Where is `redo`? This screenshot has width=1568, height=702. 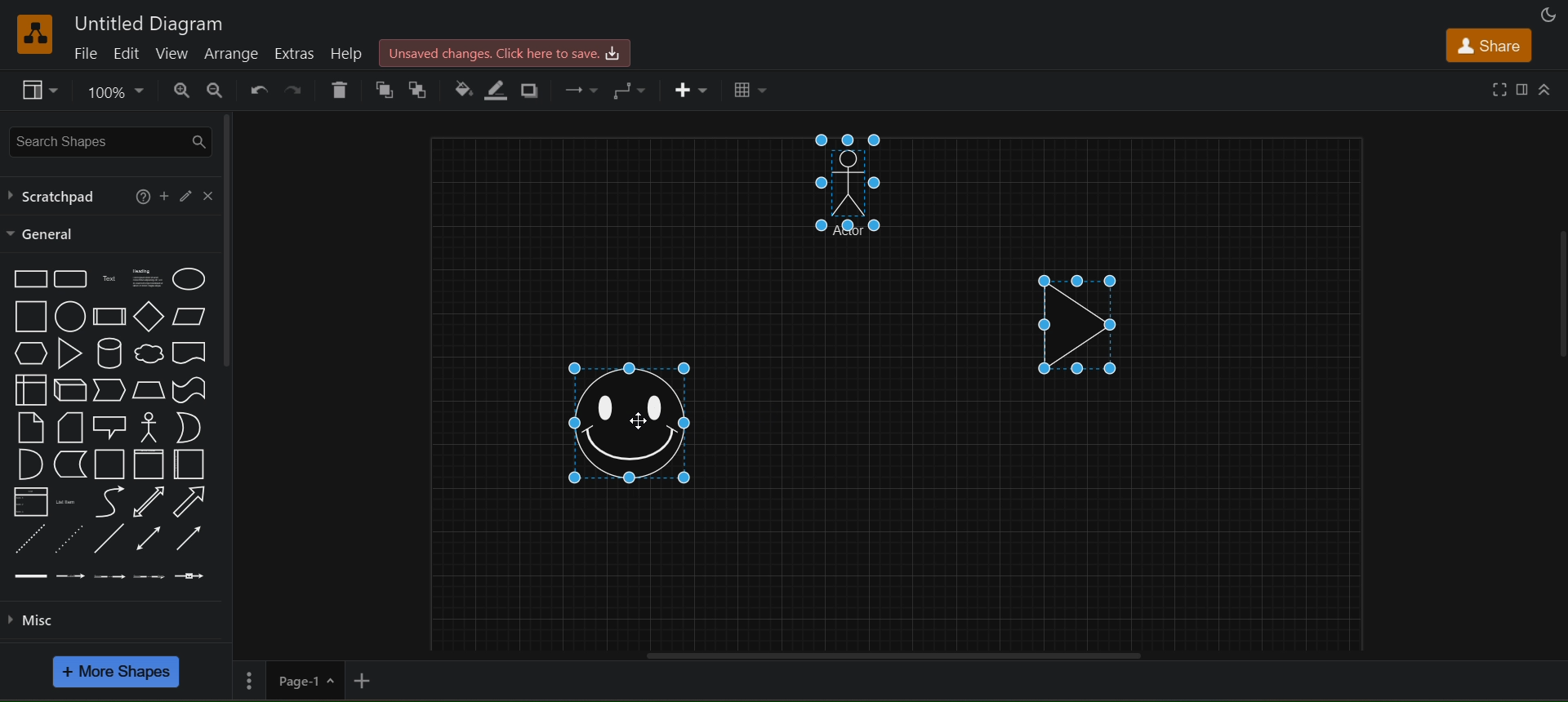
redo is located at coordinates (297, 88).